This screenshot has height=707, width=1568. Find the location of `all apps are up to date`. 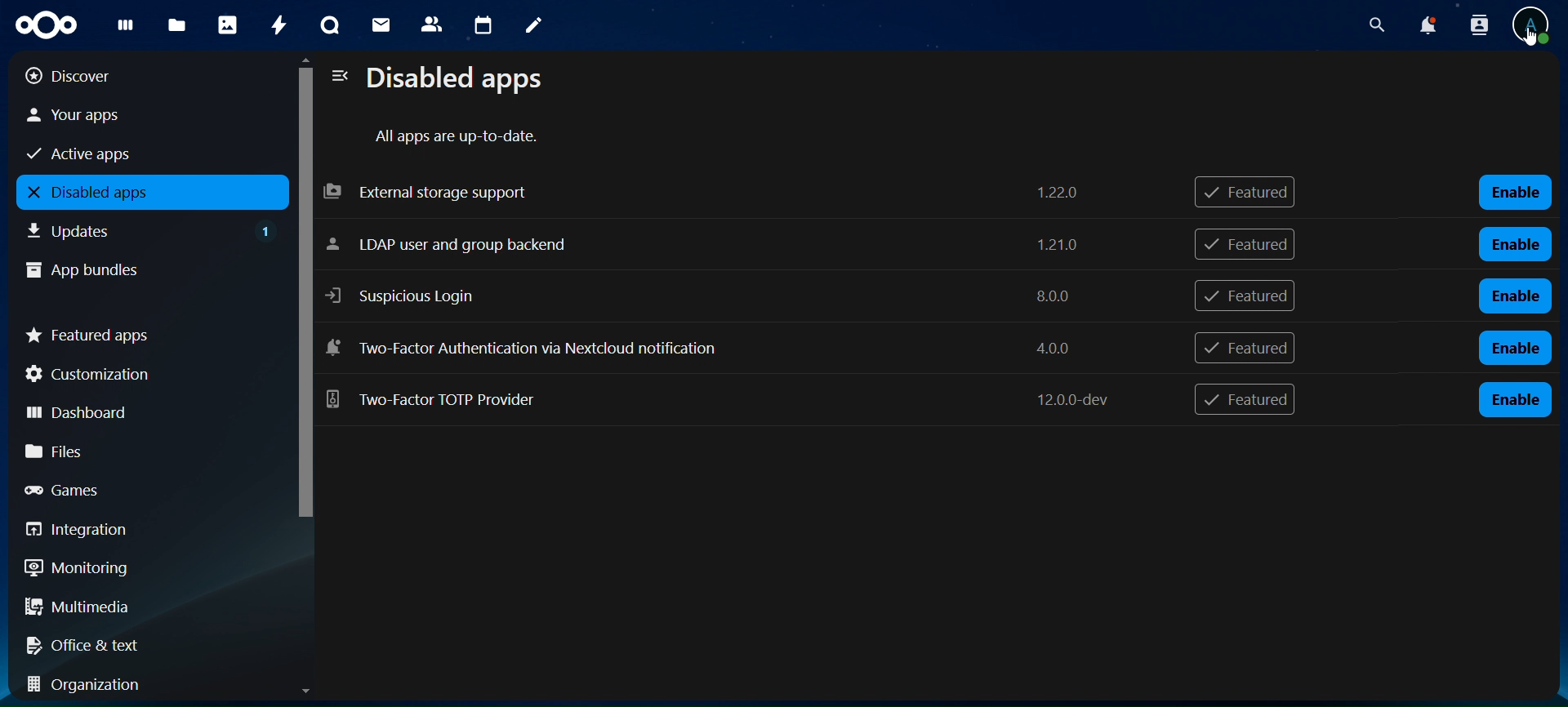

all apps are up to date is located at coordinates (460, 137).